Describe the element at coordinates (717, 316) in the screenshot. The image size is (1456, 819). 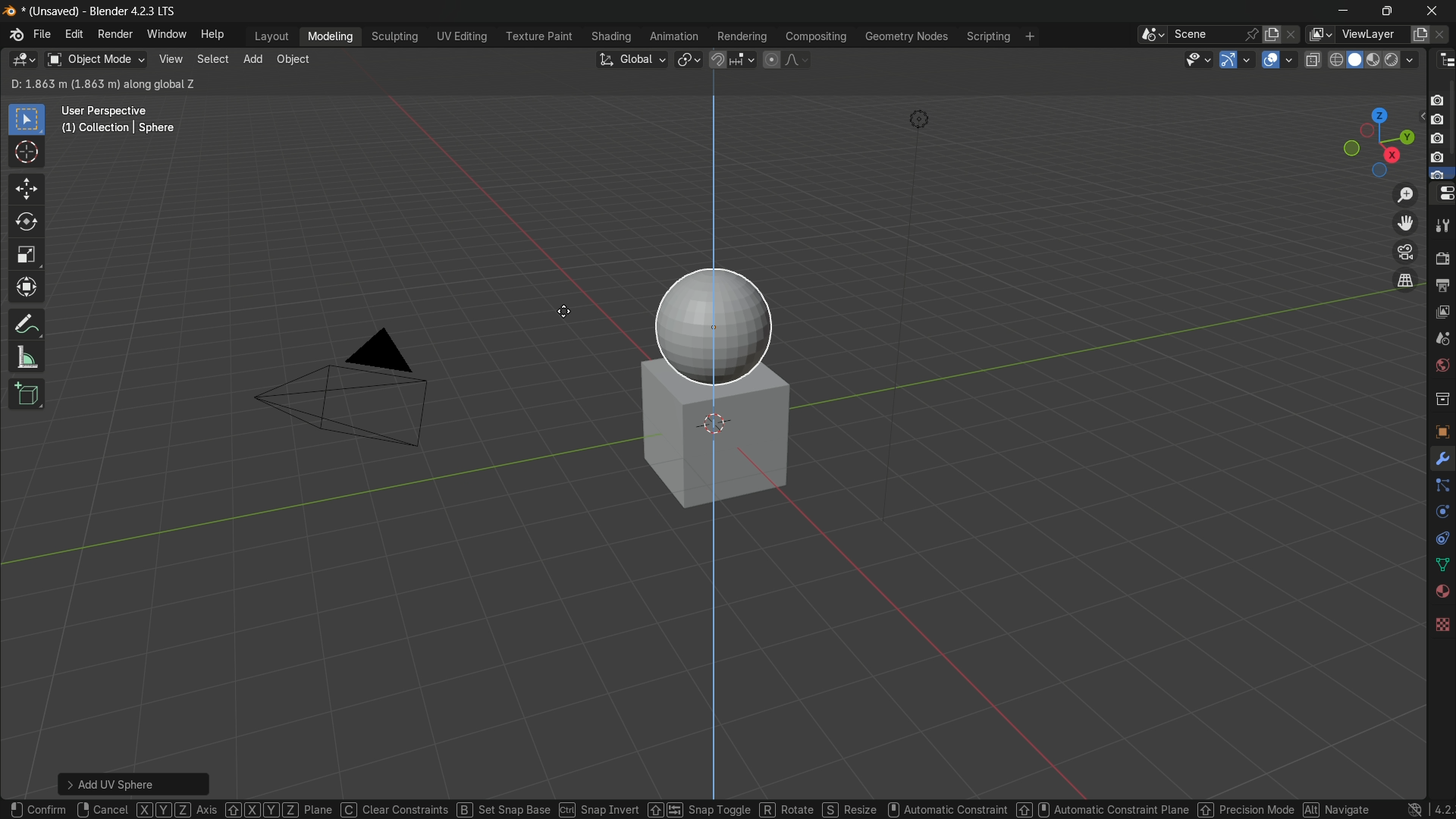
I see `sphere moved above the cube` at that location.